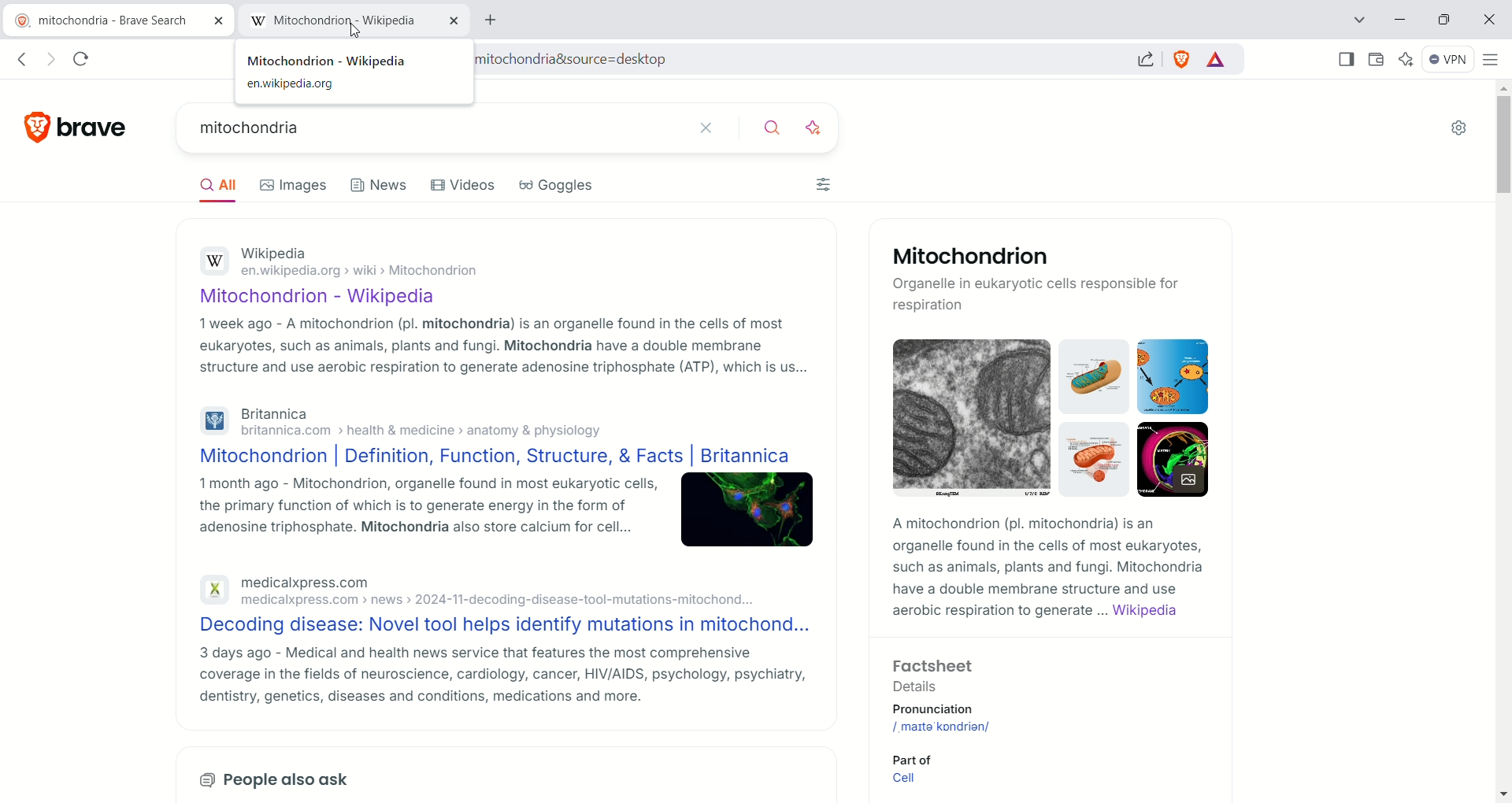  I want to click on minimize, so click(1402, 19).